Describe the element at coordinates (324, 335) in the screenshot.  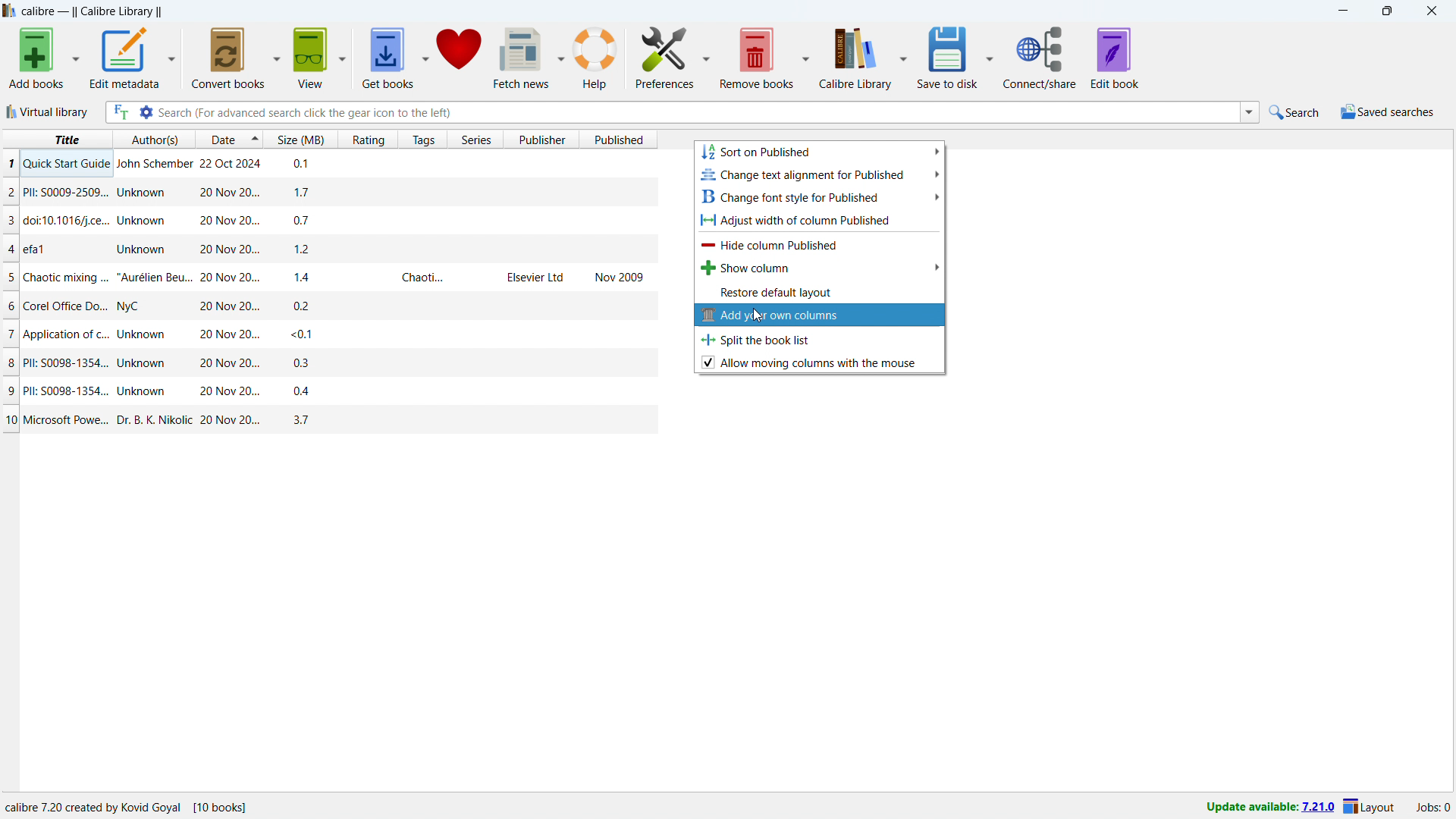
I see `7 | Application of c.. Unknown ~~ 20Nov20..  <0.1` at that location.